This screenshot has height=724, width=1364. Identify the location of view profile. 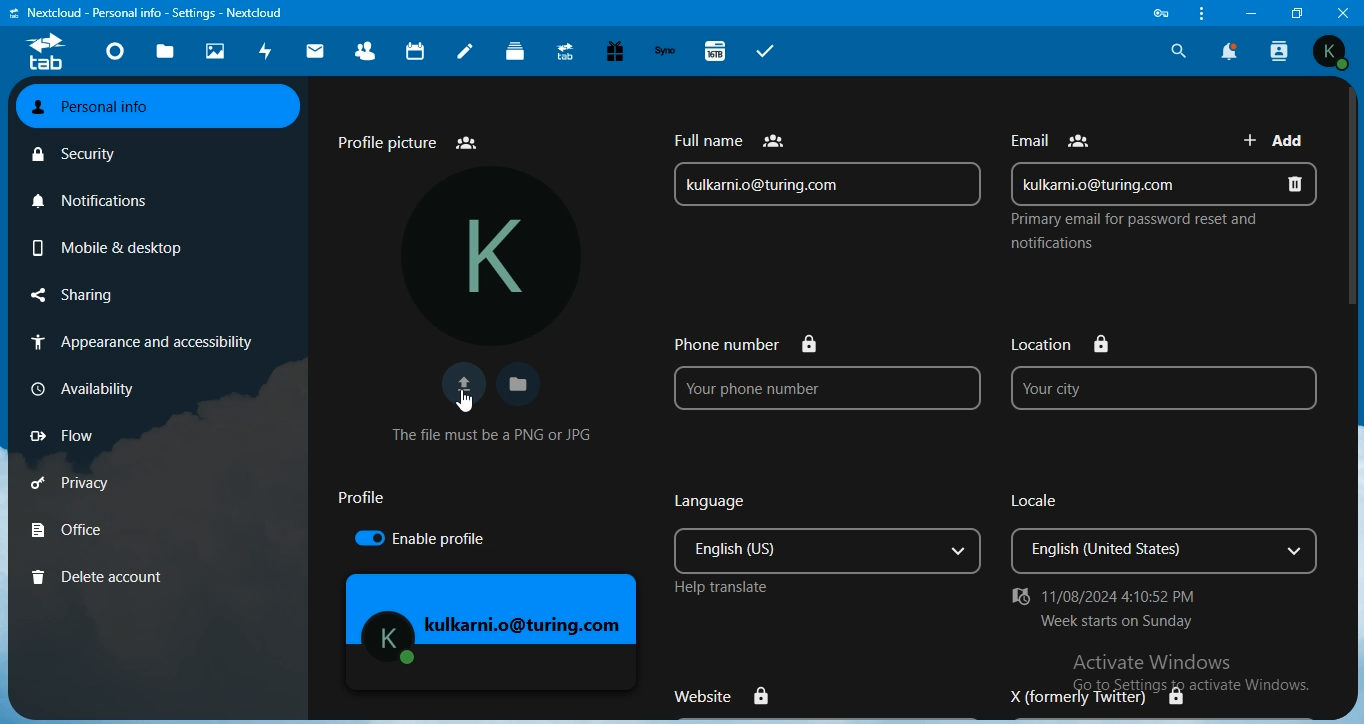
(1331, 52).